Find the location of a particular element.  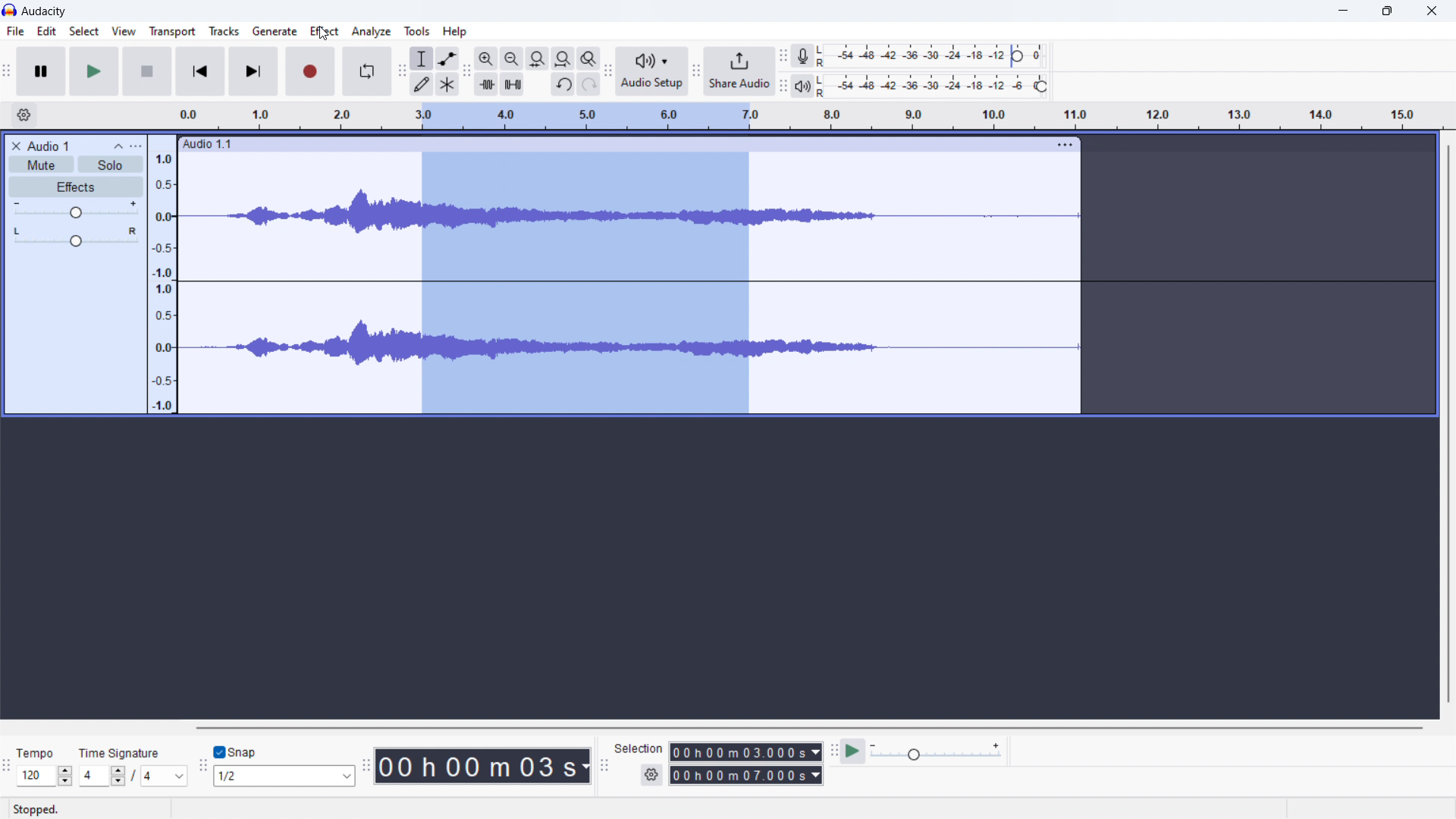

mute is located at coordinates (41, 165).